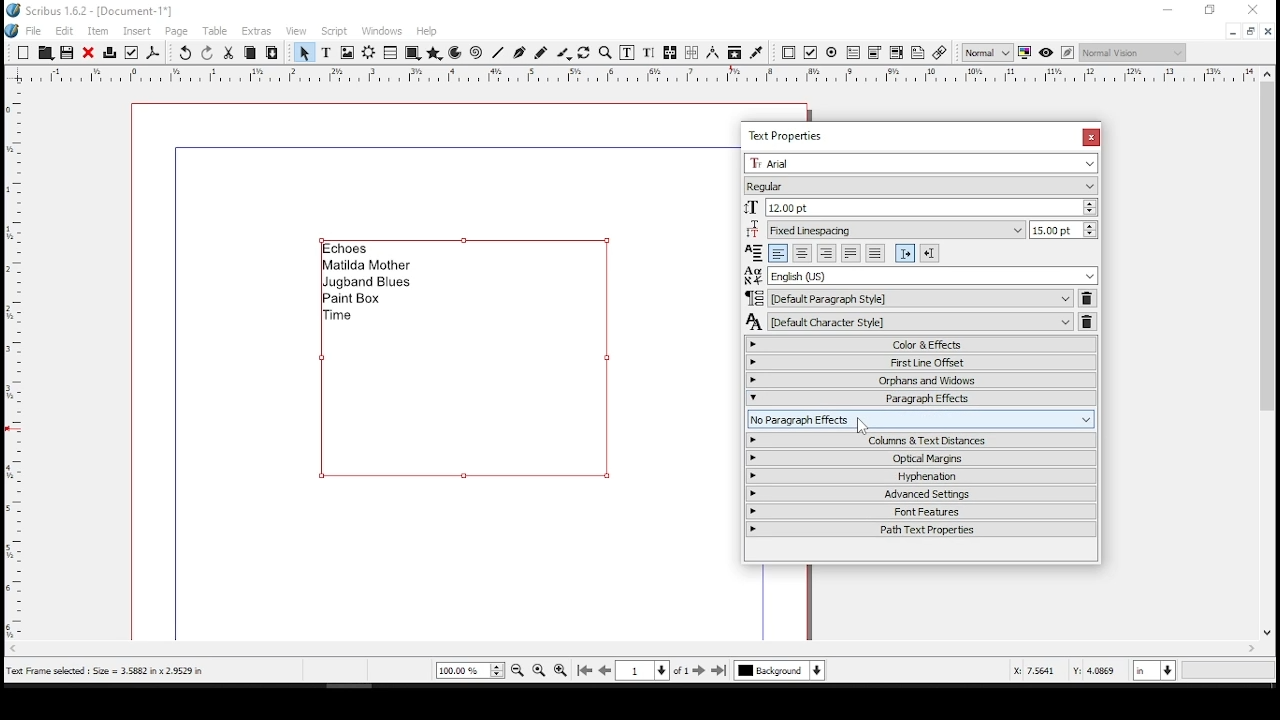 Image resolution: width=1280 pixels, height=720 pixels. I want to click on paint box, so click(358, 299).